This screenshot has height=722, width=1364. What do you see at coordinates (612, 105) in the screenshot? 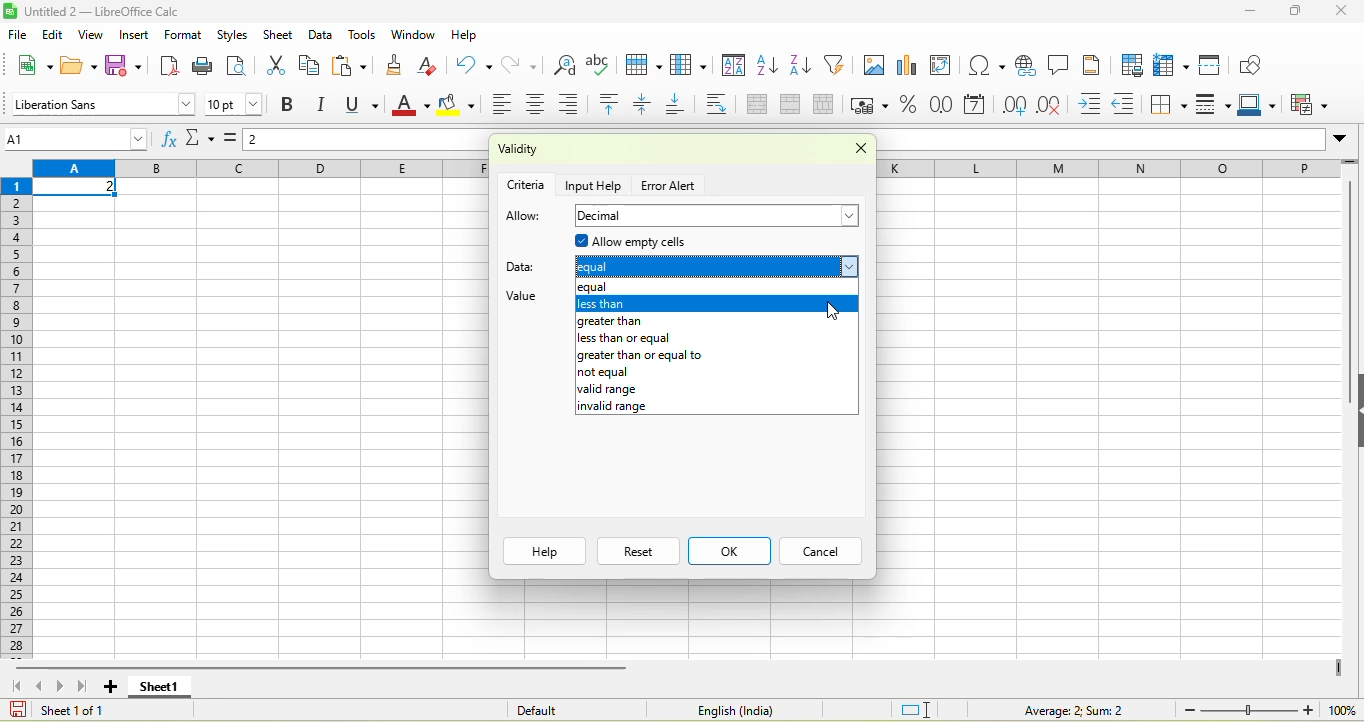
I see `align top` at bounding box center [612, 105].